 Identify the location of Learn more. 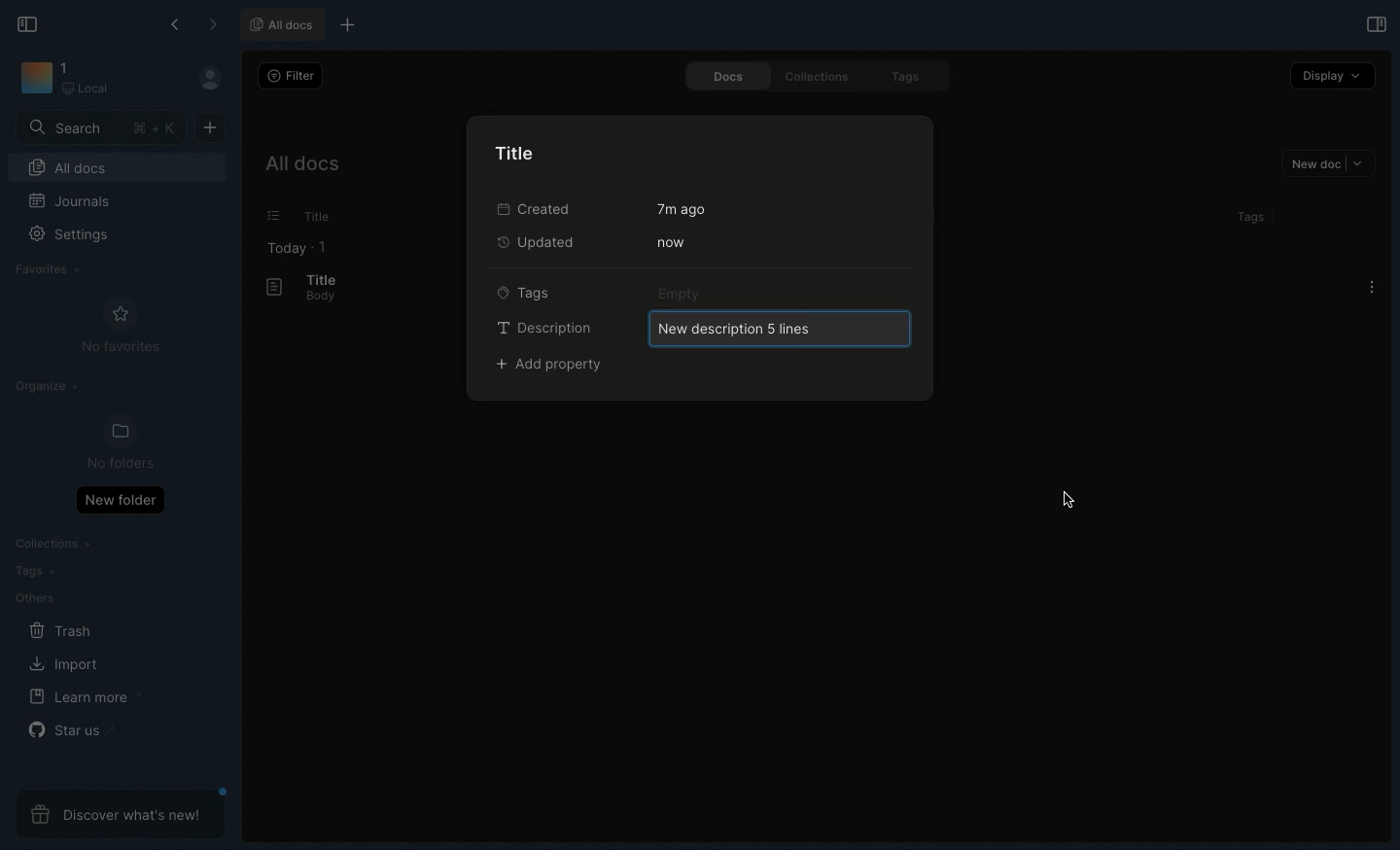
(86, 697).